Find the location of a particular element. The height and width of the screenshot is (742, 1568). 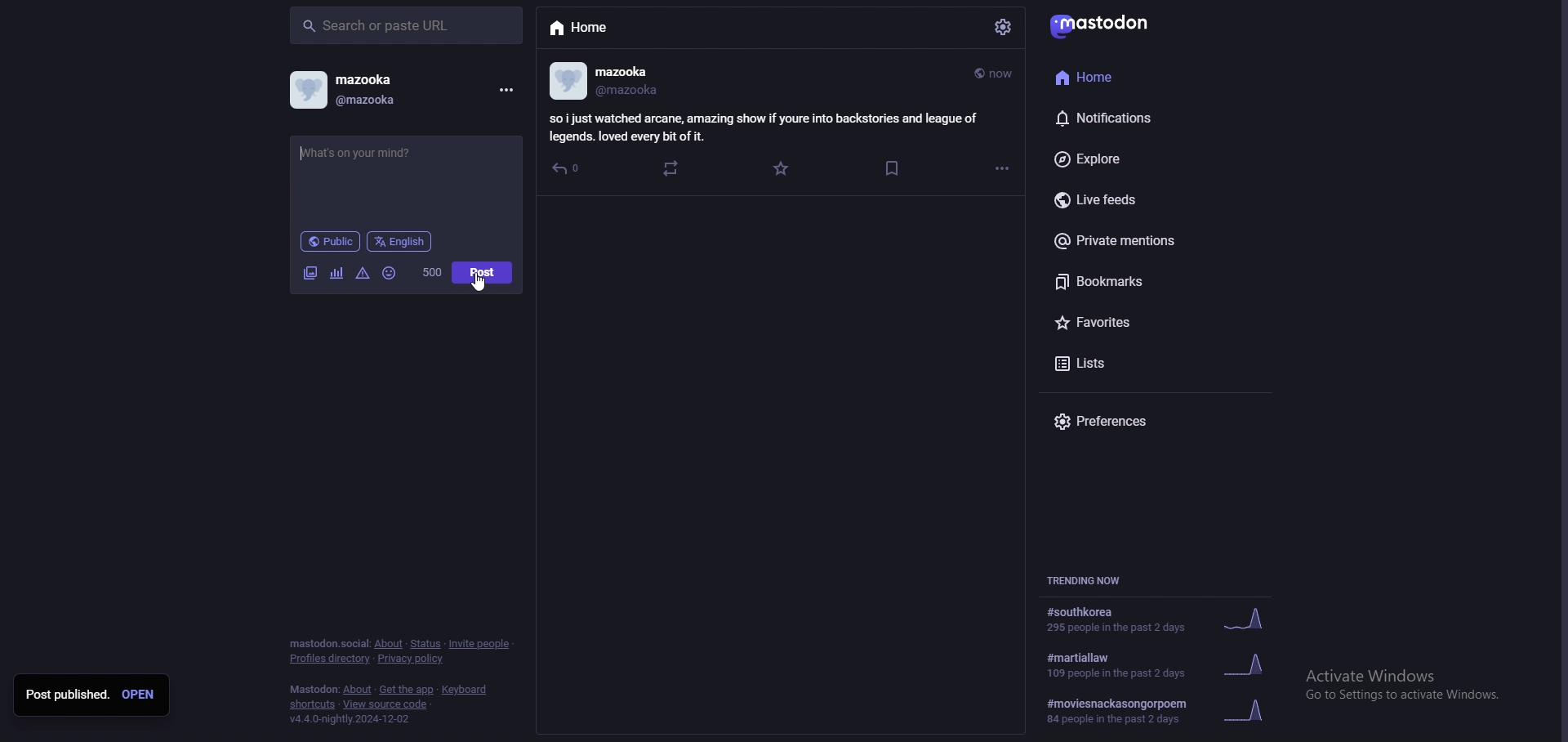

profiles directory is located at coordinates (331, 659).